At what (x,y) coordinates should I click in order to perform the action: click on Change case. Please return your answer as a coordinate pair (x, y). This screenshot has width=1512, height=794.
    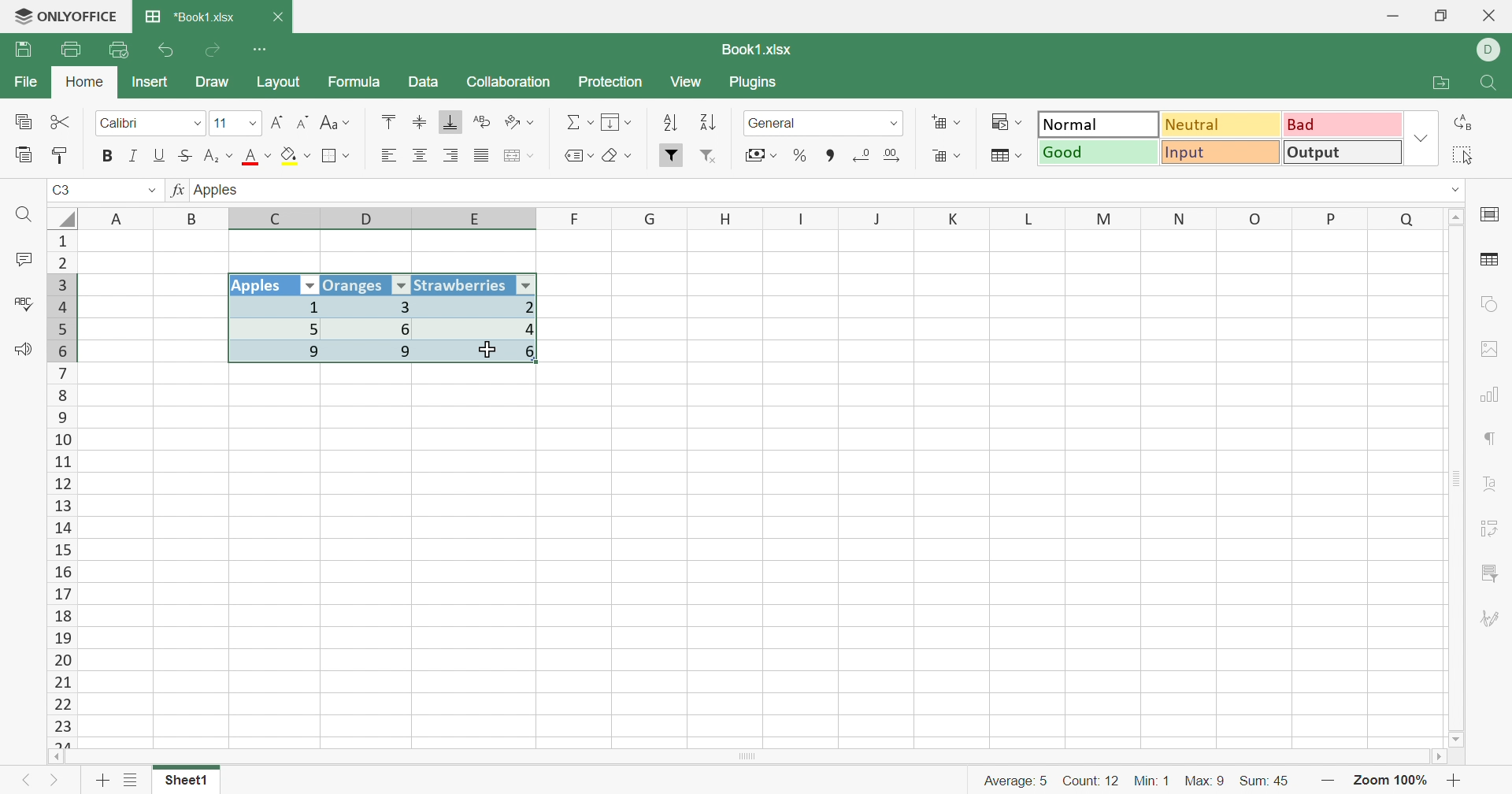
    Looking at the image, I should click on (335, 124).